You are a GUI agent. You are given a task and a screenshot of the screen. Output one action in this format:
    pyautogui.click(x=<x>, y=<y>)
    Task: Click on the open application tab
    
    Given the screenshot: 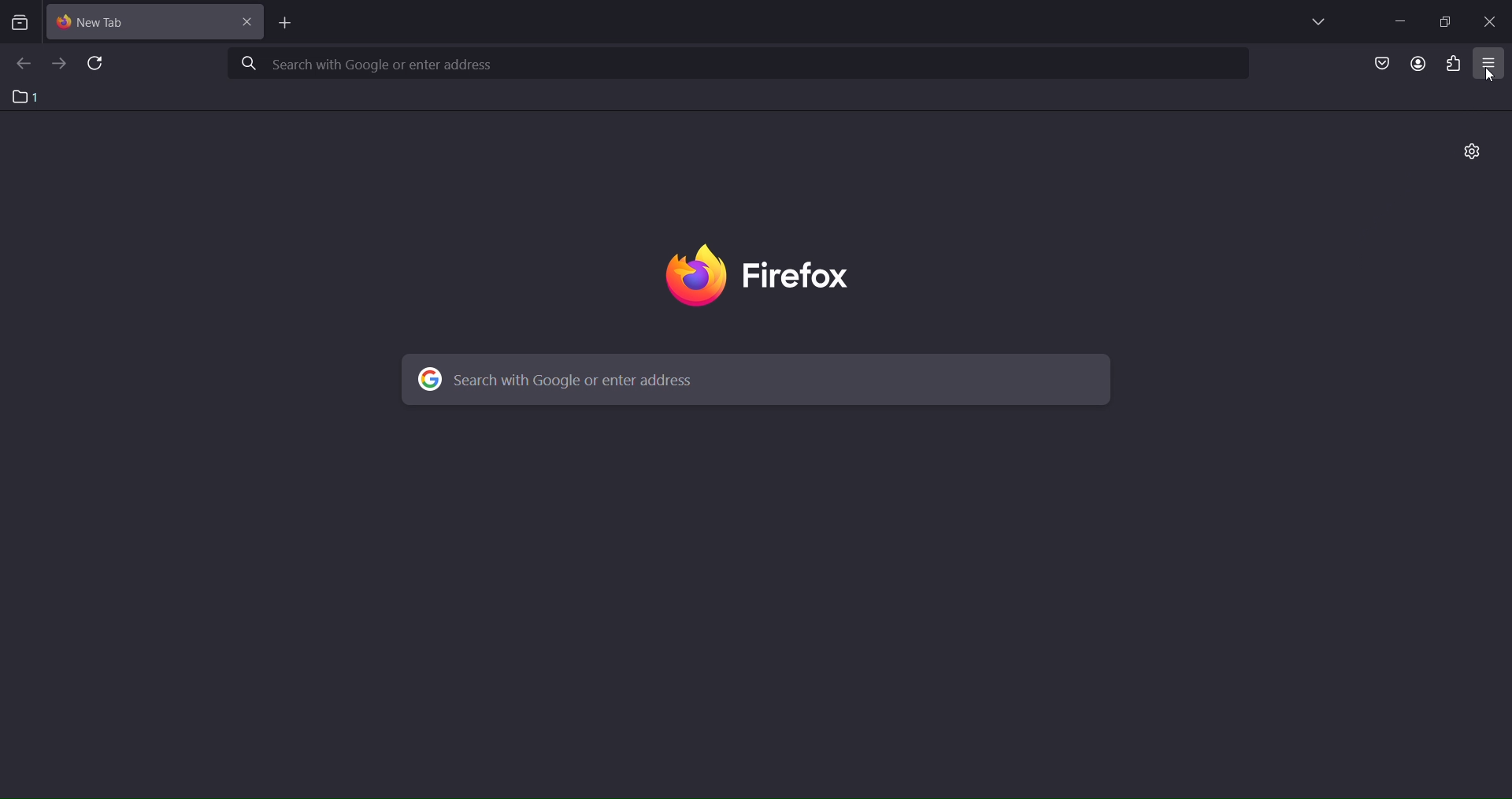 What is the action you would take?
    pyautogui.click(x=1487, y=66)
    